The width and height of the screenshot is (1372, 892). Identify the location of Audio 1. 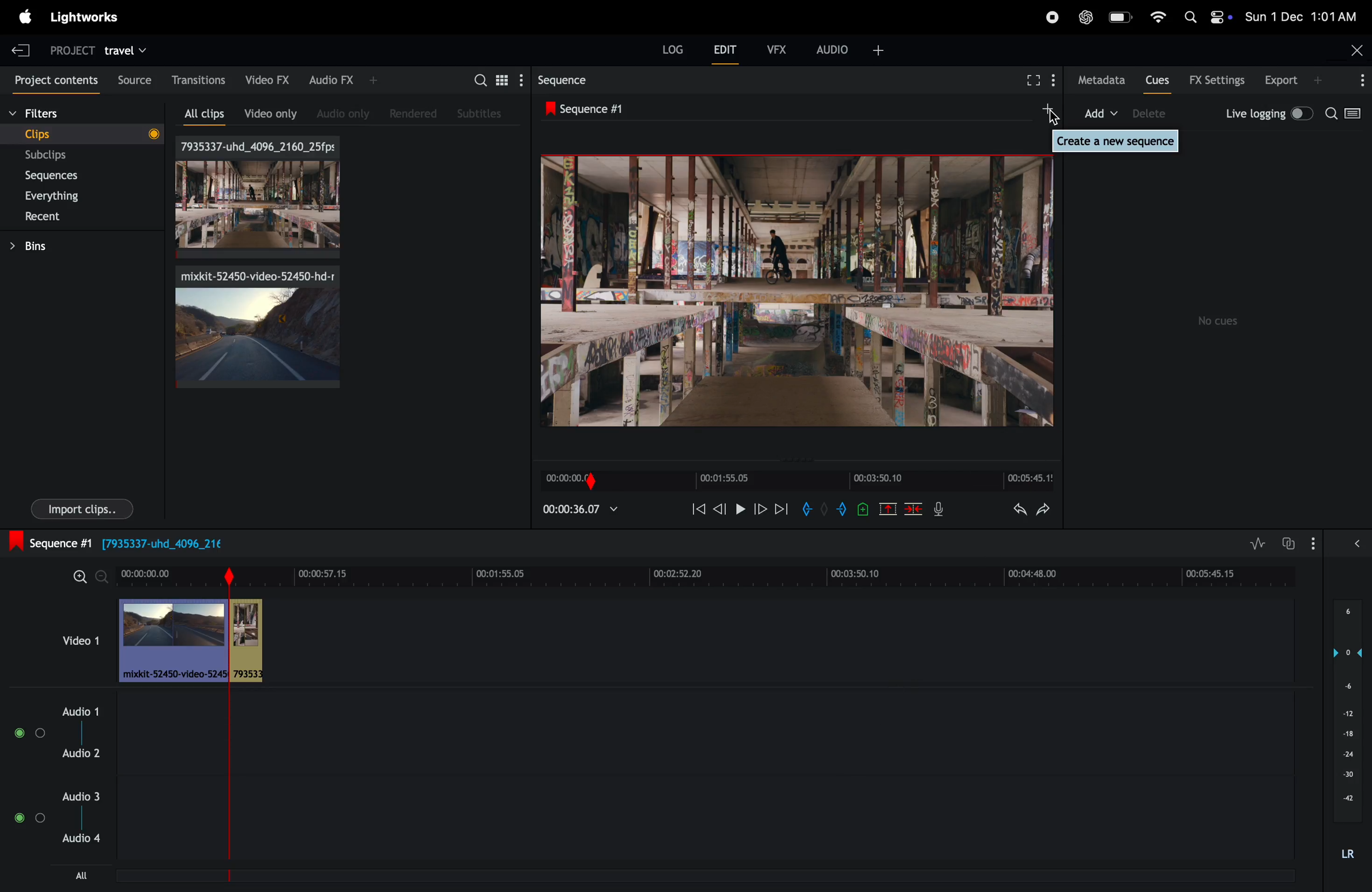
(82, 709).